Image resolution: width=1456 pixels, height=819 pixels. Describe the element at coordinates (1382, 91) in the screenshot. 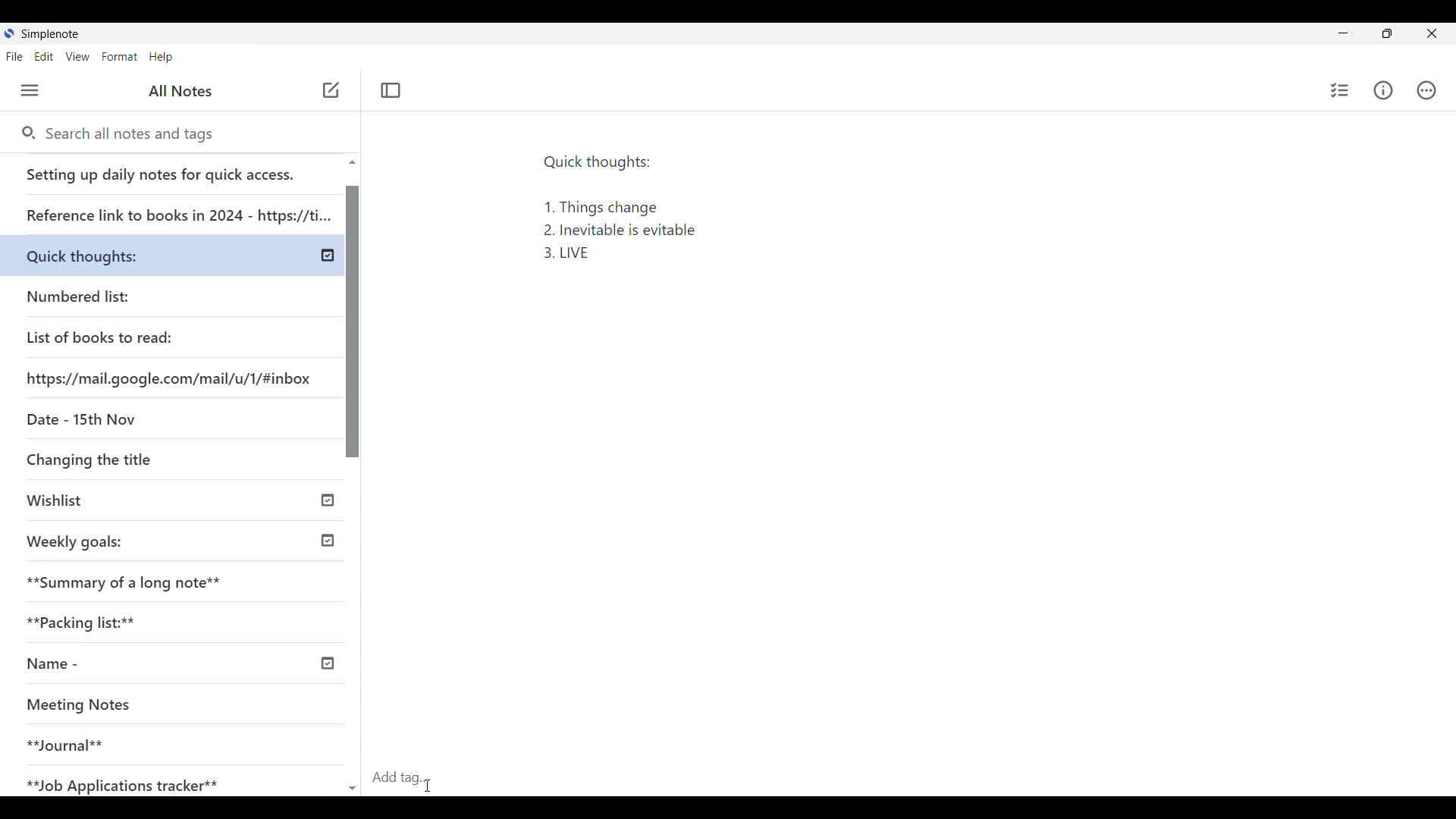

I see `Info` at that location.